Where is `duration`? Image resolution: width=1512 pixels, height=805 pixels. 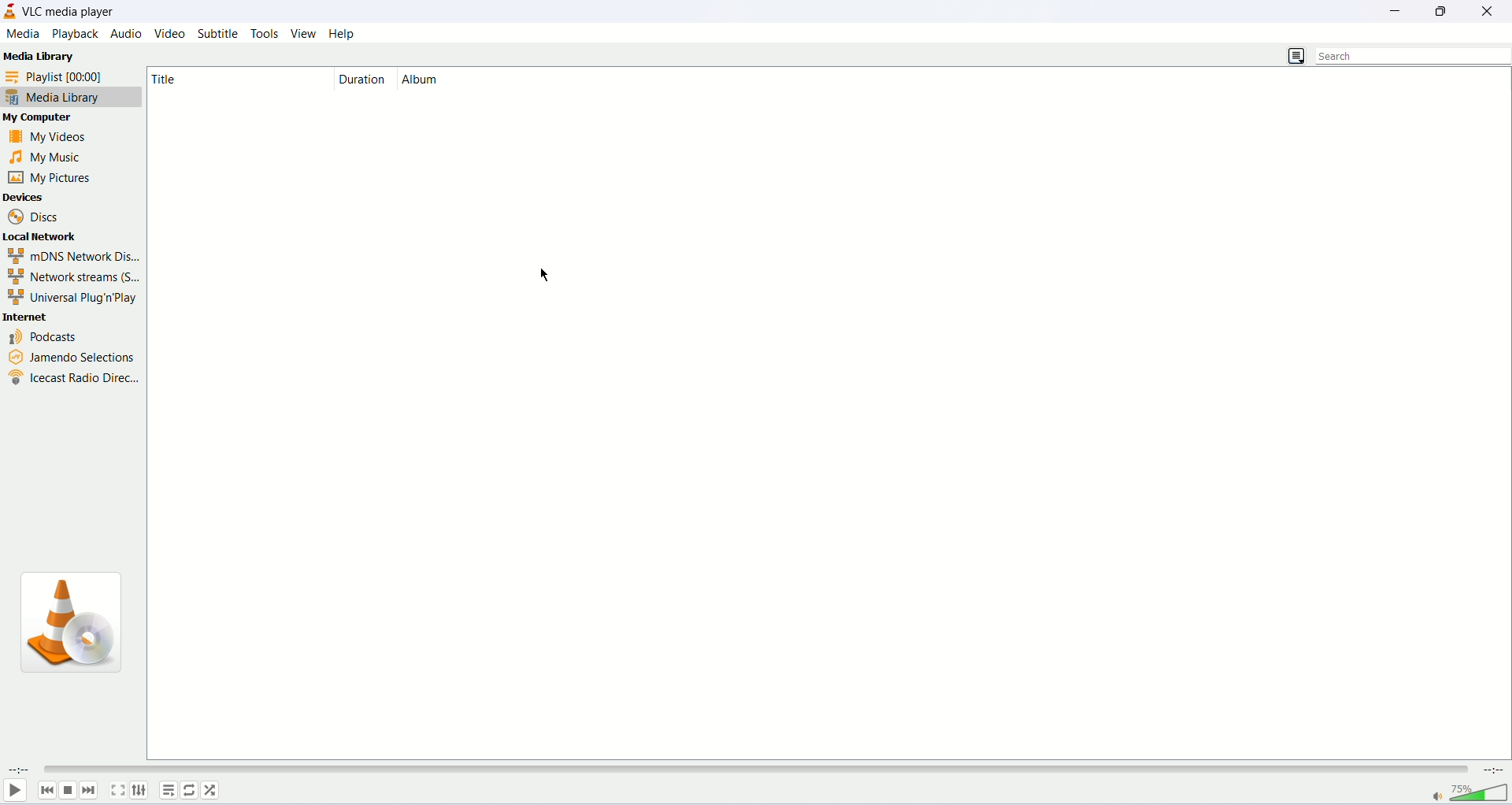 duration is located at coordinates (365, 80).